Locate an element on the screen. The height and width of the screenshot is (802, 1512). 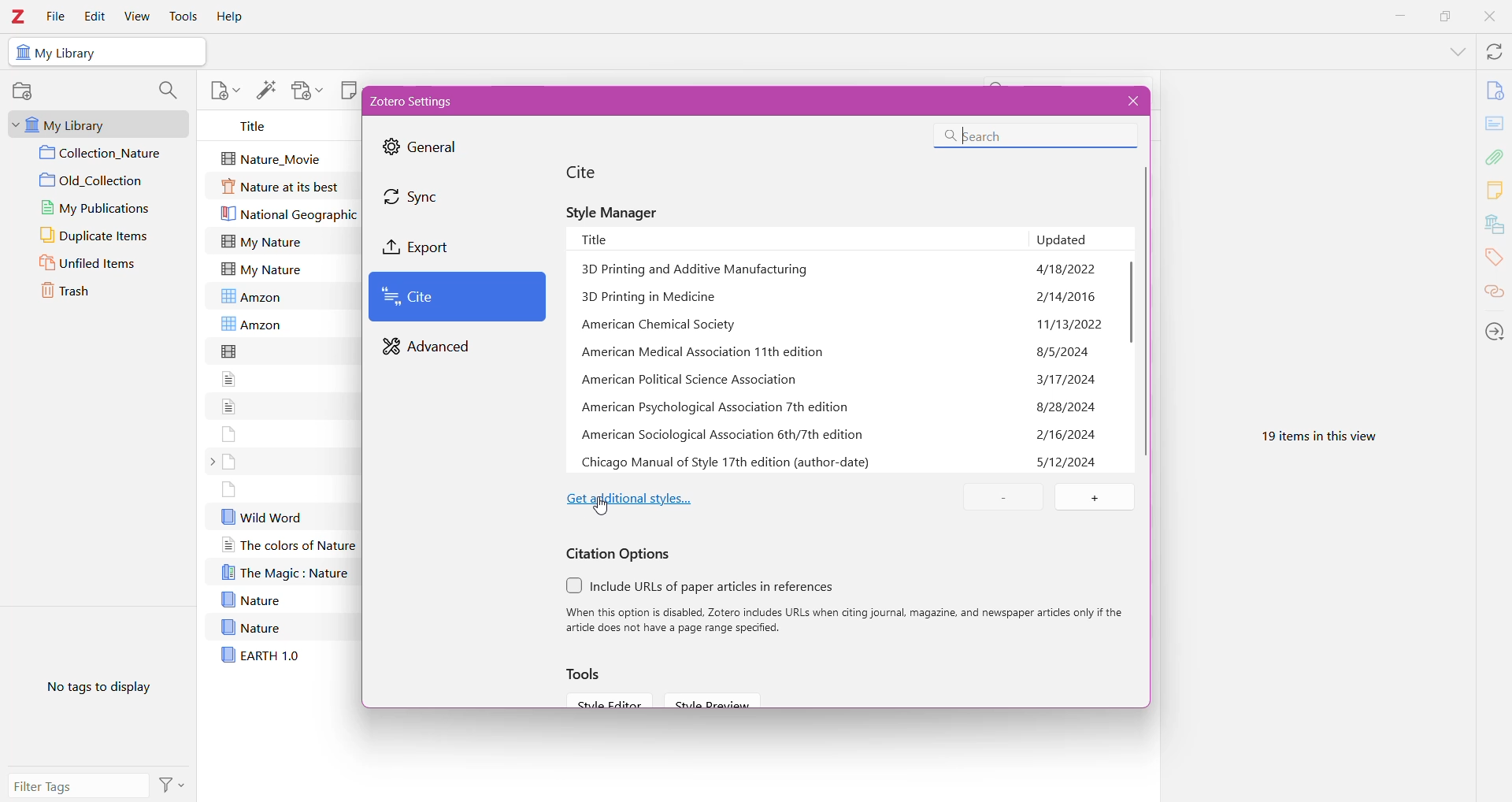
Unfiled Items is located at coordinates (99, 265).